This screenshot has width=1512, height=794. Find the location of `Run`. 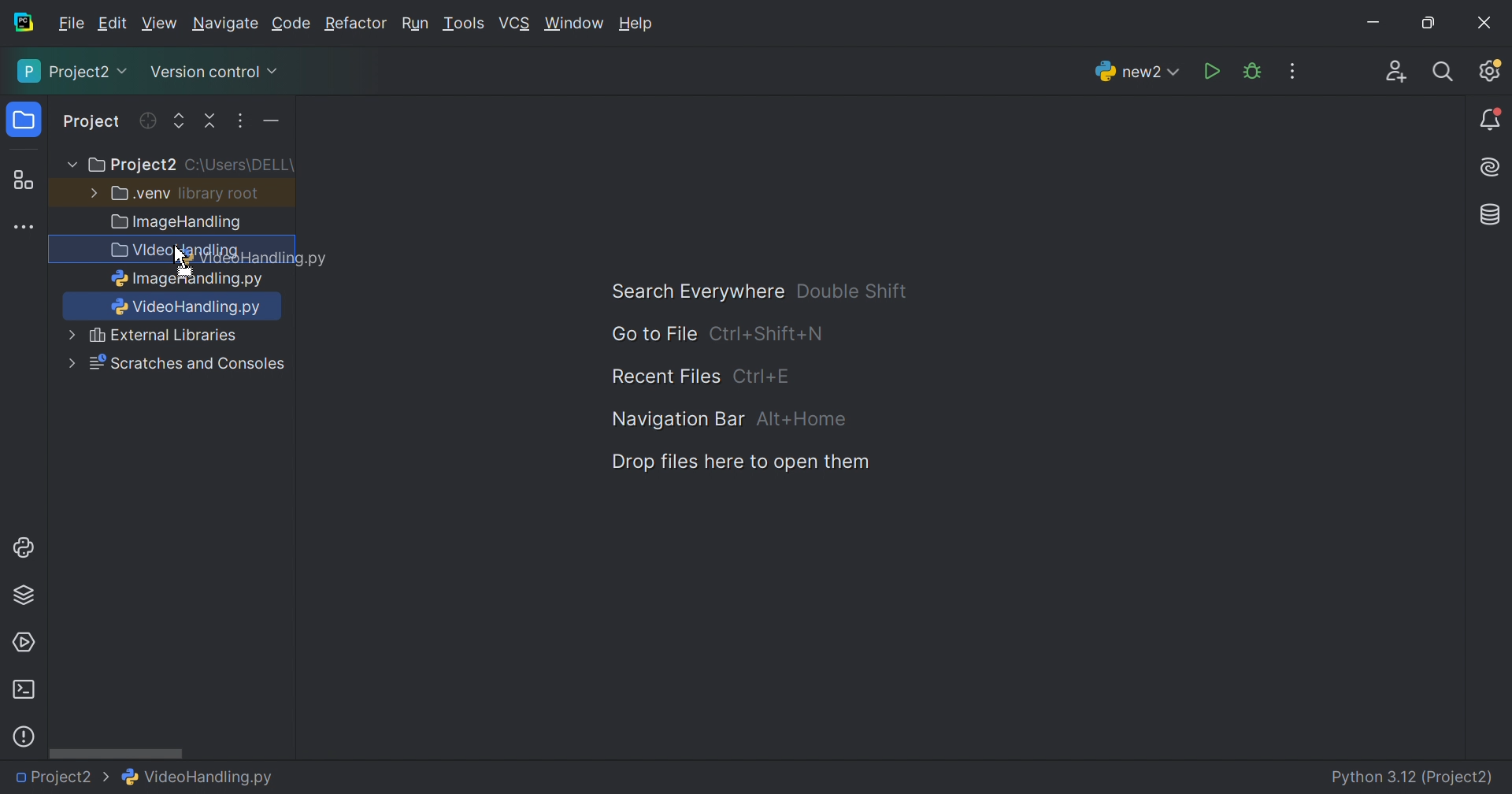

Run is located at coordinates (415, 25).